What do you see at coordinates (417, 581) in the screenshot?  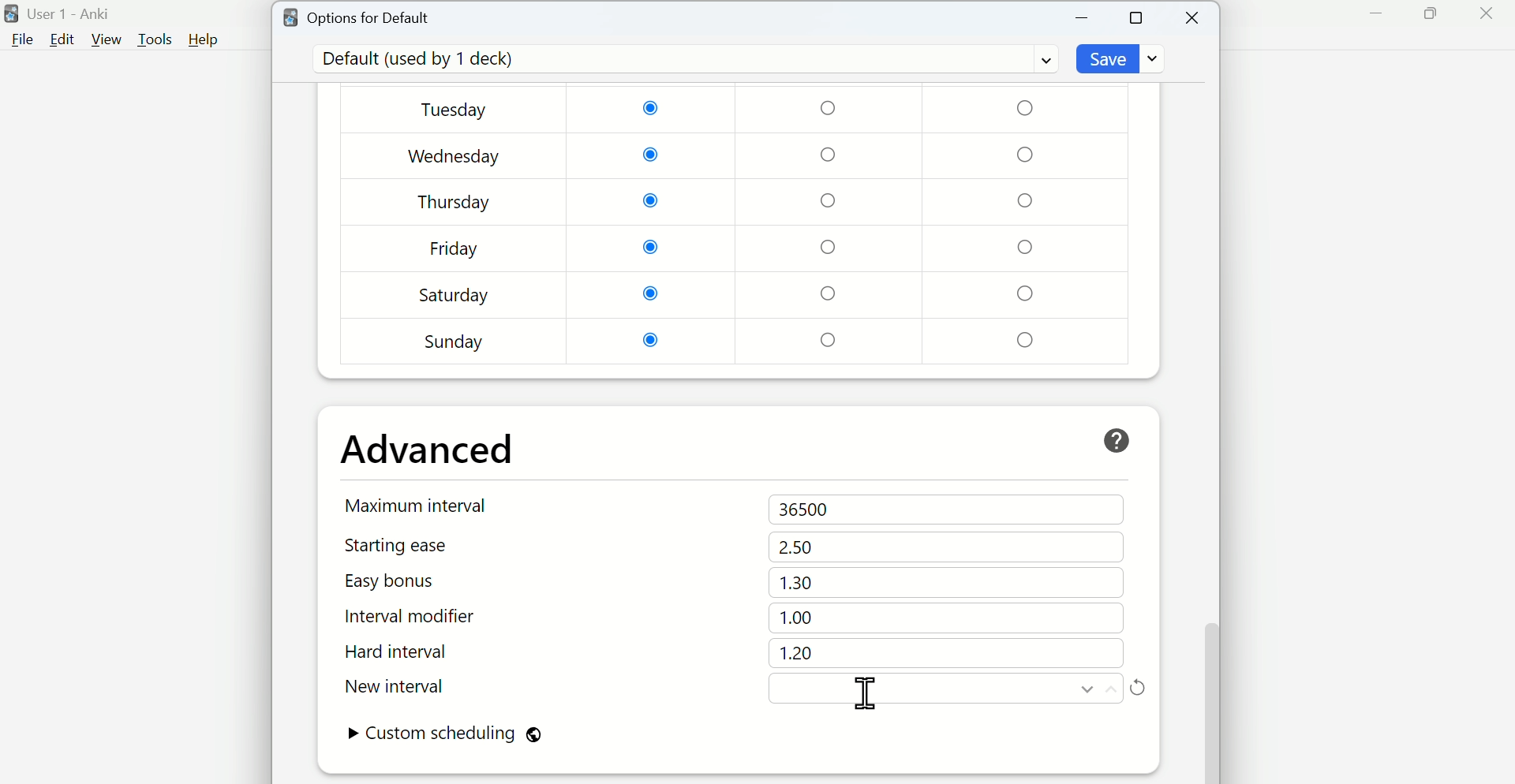 I see `Easy bonus` at bounding box center [417, 581].